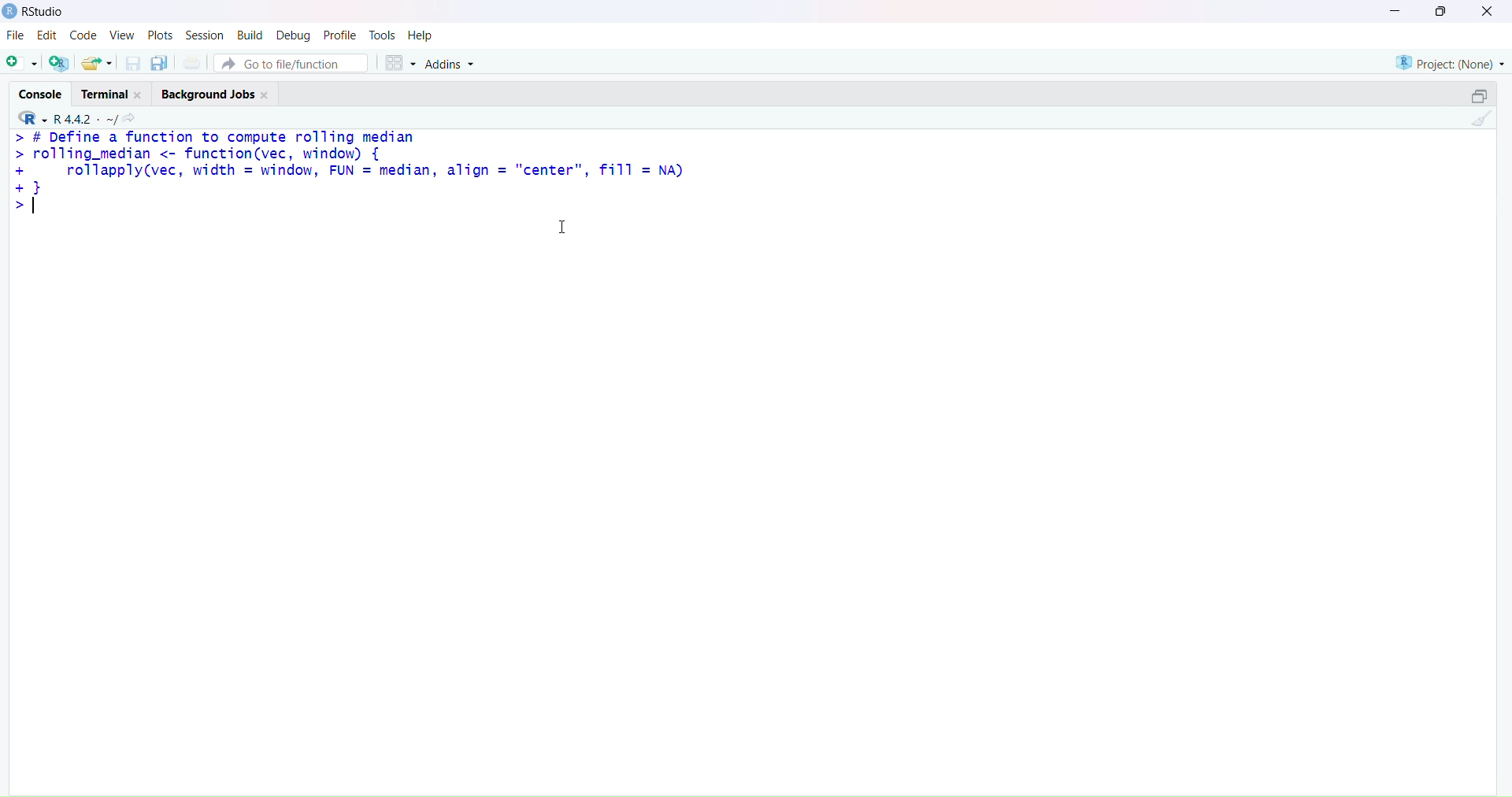 The width and height of the screenshot is (1512, 797). What do you see at coordinates (422, 36) in the screenshot?
I see `help` at bounding box center [422, 36].